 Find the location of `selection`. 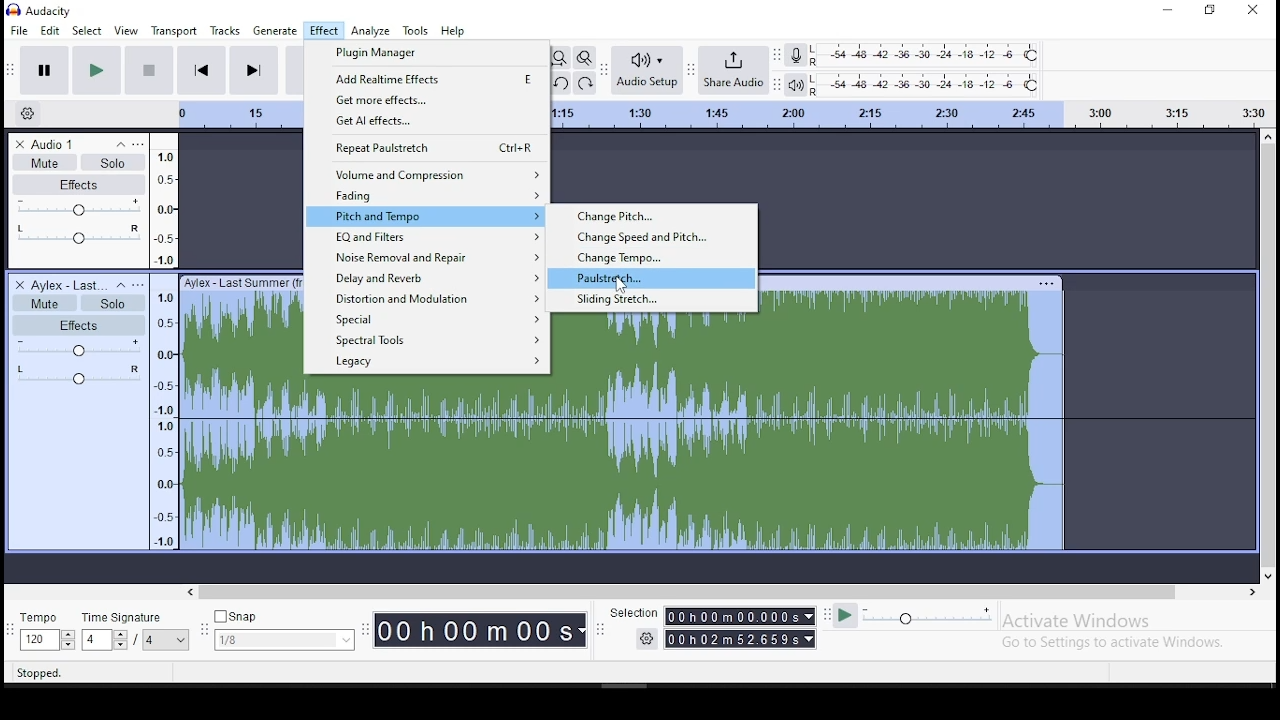

selection is located at coordinates (713, 627).